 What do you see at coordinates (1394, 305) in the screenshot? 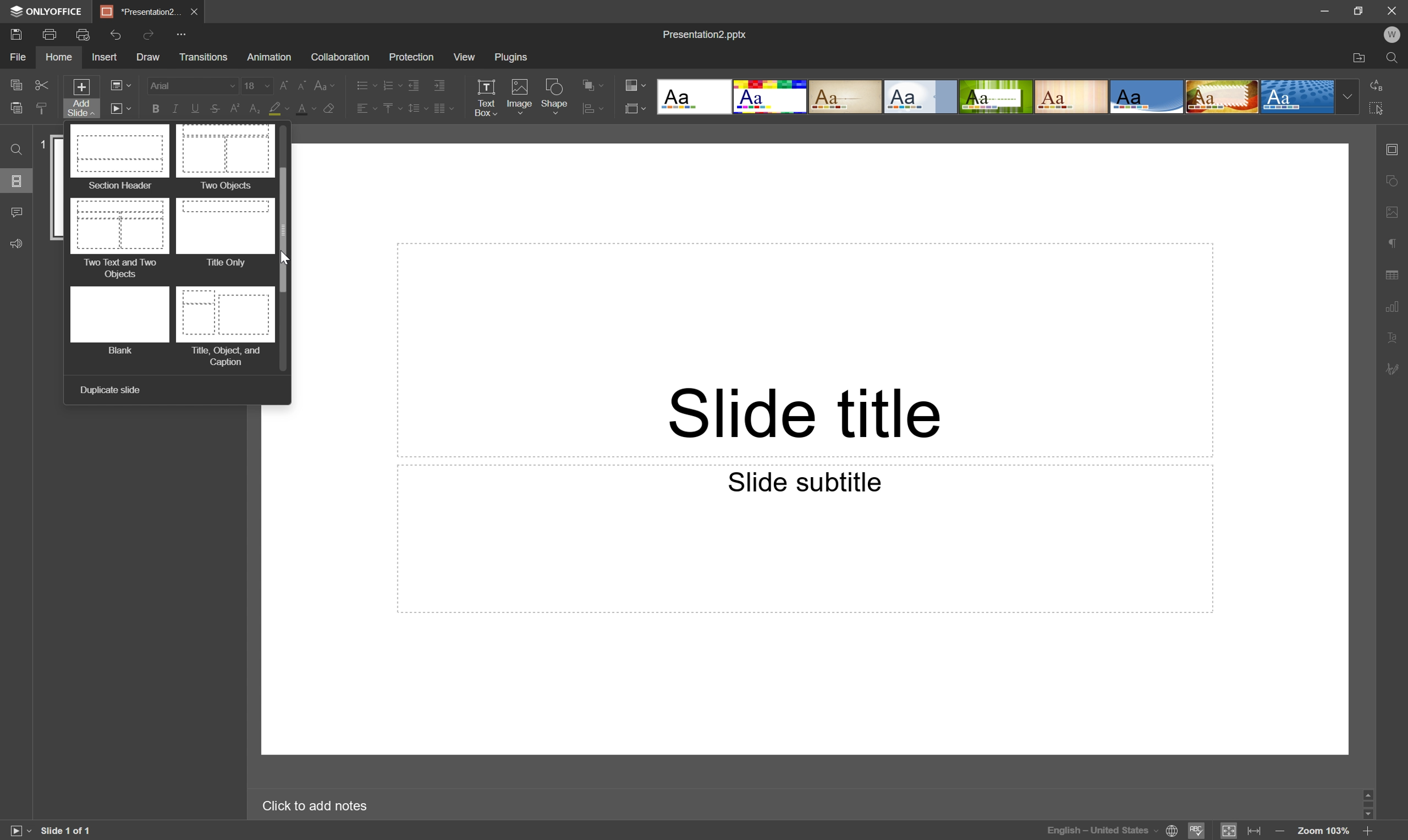
I see `Chart settings` at bounding box center [1394, 305].